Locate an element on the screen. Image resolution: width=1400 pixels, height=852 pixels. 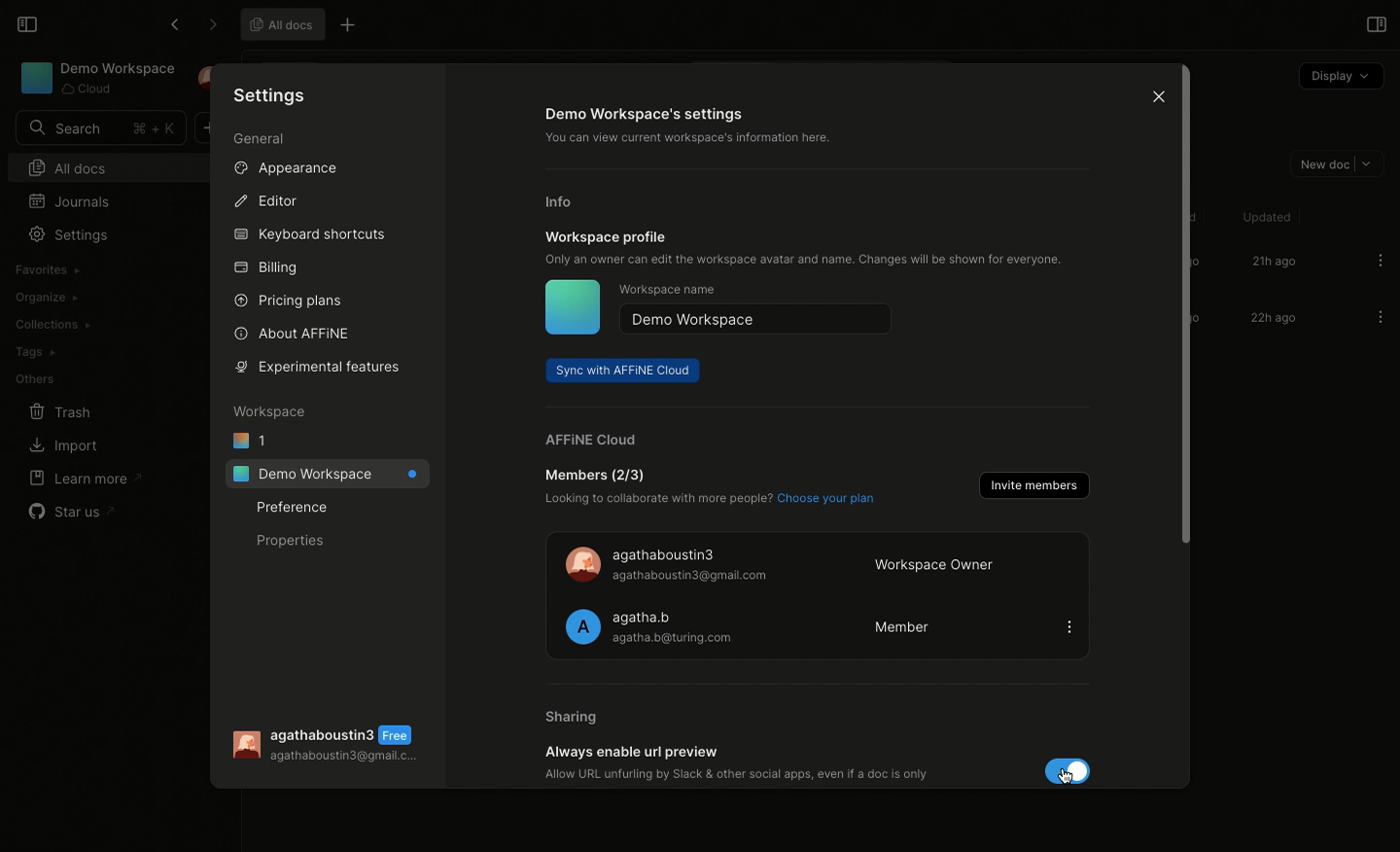
Settings is located at coordinates (67, 234).